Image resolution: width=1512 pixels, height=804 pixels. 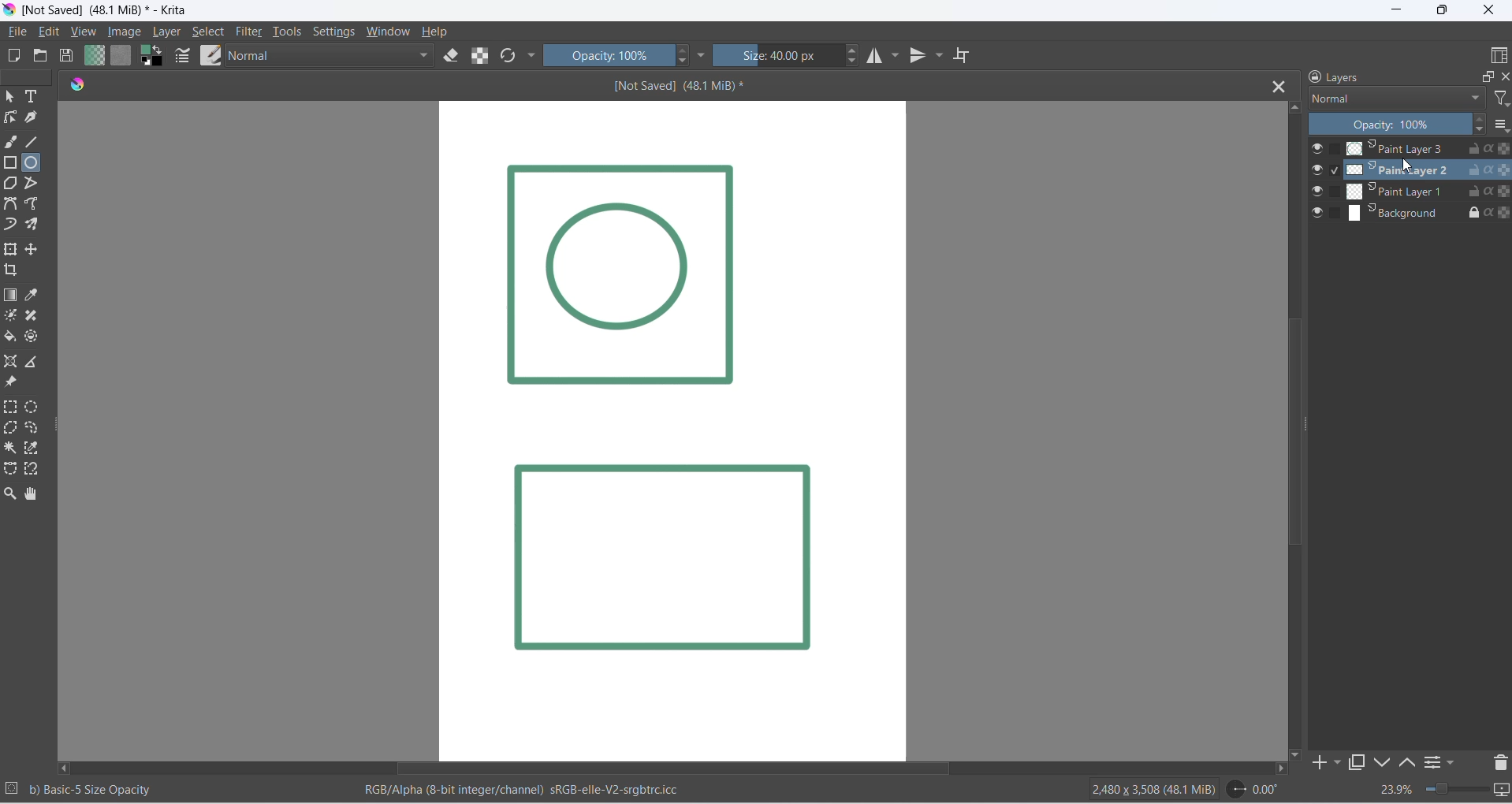 What do you see at coordinates (114, 11) in the screenshot?
I see `[Not Saved] (48.1 Mib)* - Krita` at bounding box center [114, 11].